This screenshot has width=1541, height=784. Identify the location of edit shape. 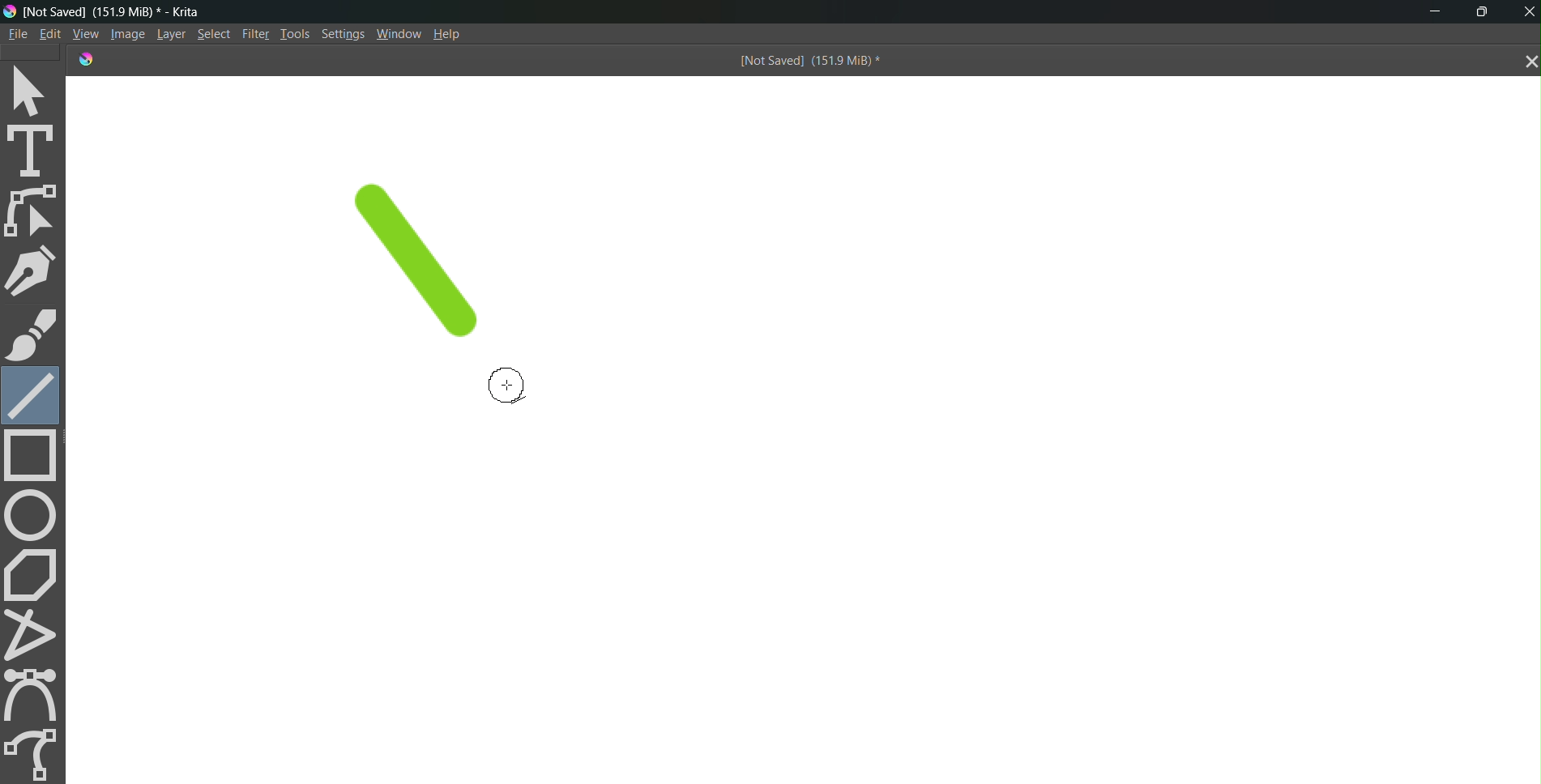
(35, 211).